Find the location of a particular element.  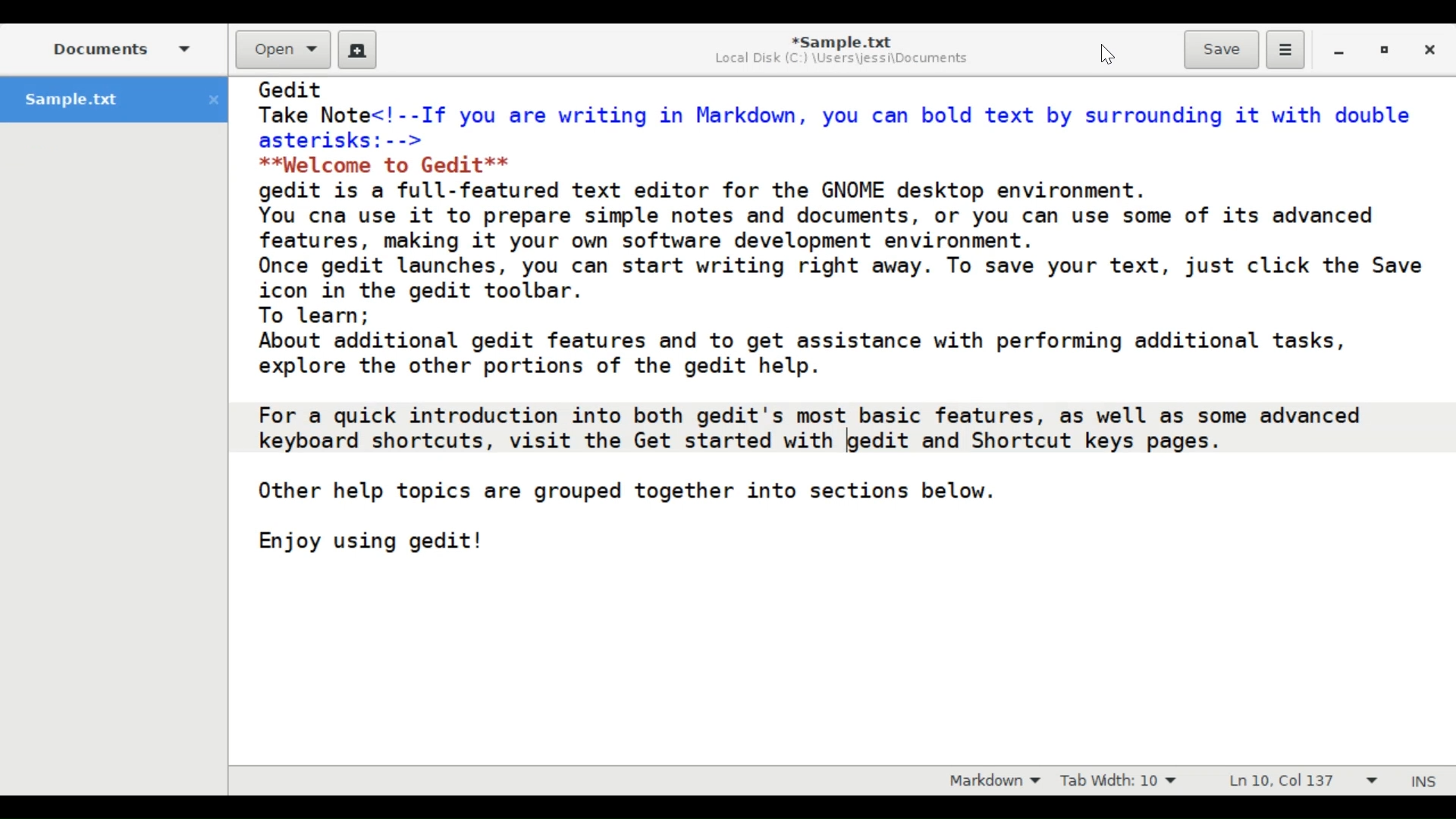

*Sample.txt is located at coordinates (841, 39).